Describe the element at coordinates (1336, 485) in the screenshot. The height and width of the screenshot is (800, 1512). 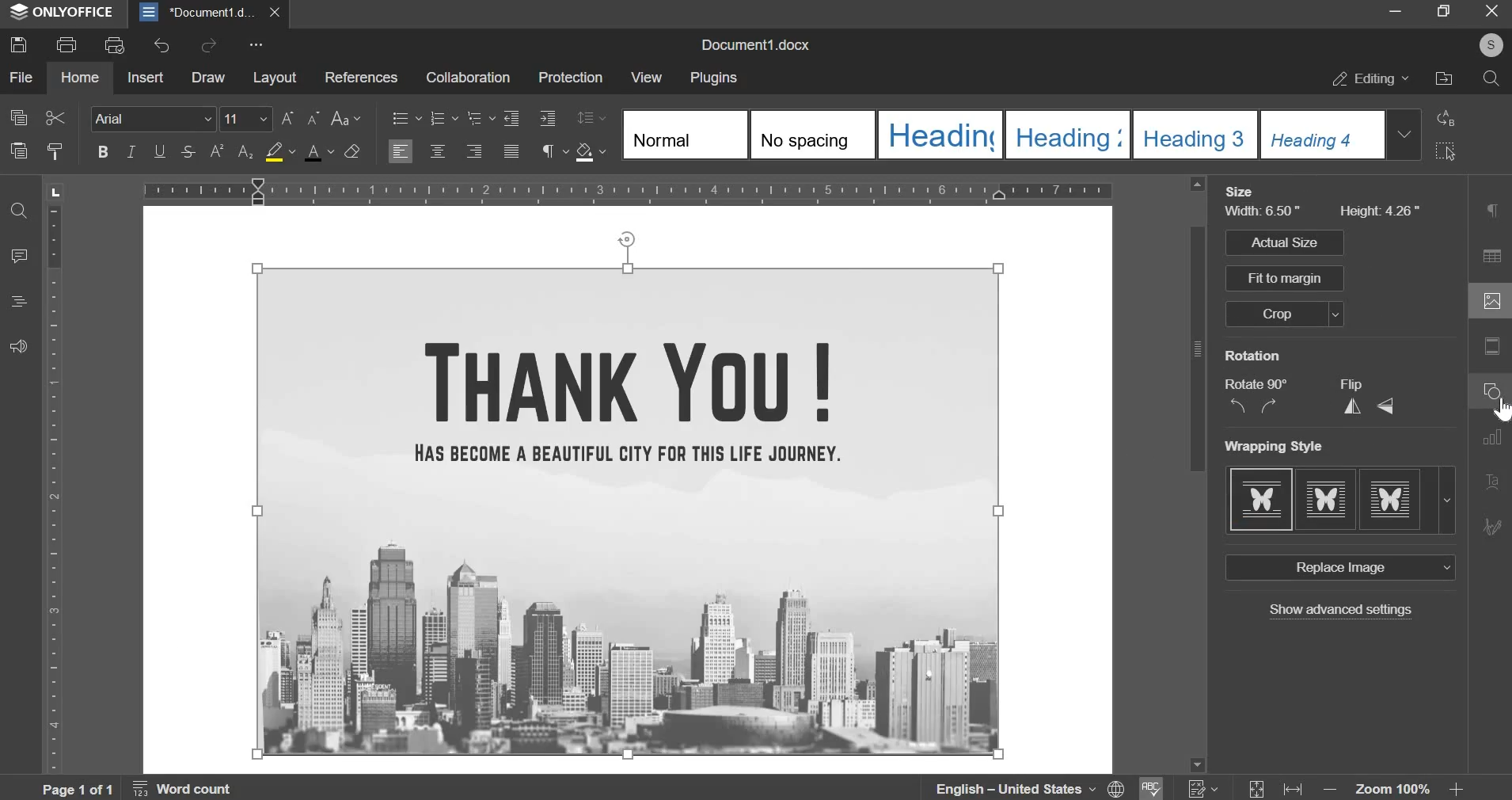
I see `Wrapping Style` at that location.